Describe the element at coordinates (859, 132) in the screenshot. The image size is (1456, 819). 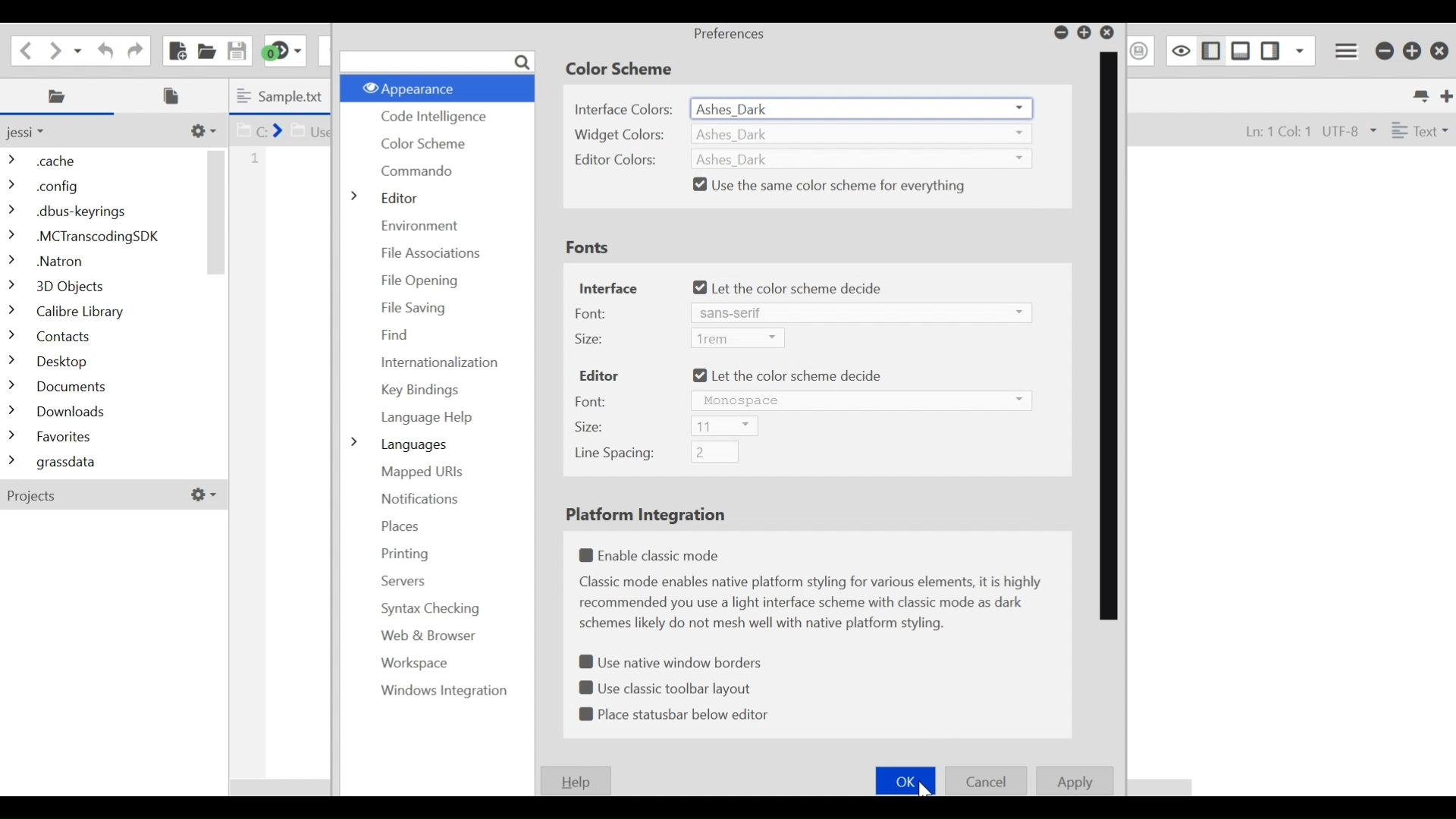
I see `3024` at that location.